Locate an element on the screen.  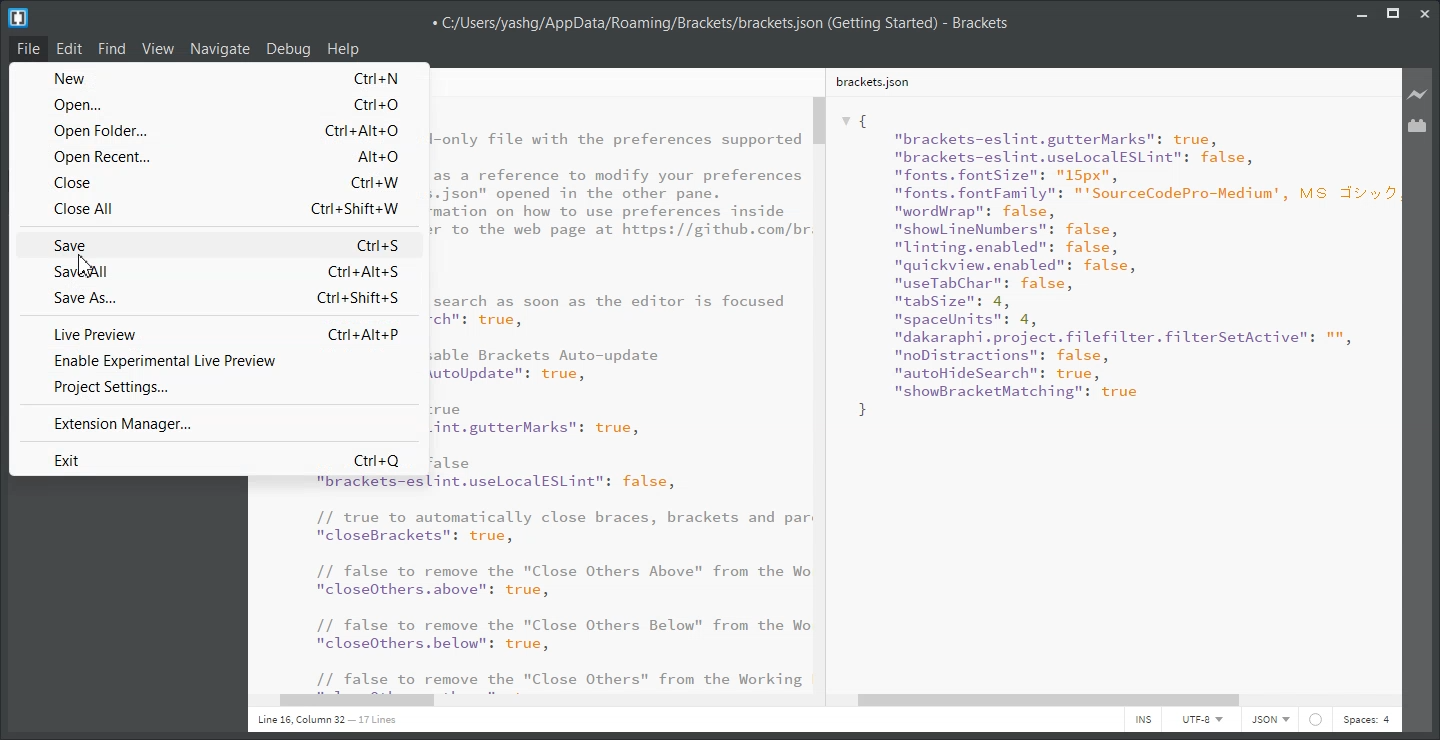
Debug is located at coordinates (289, 47).